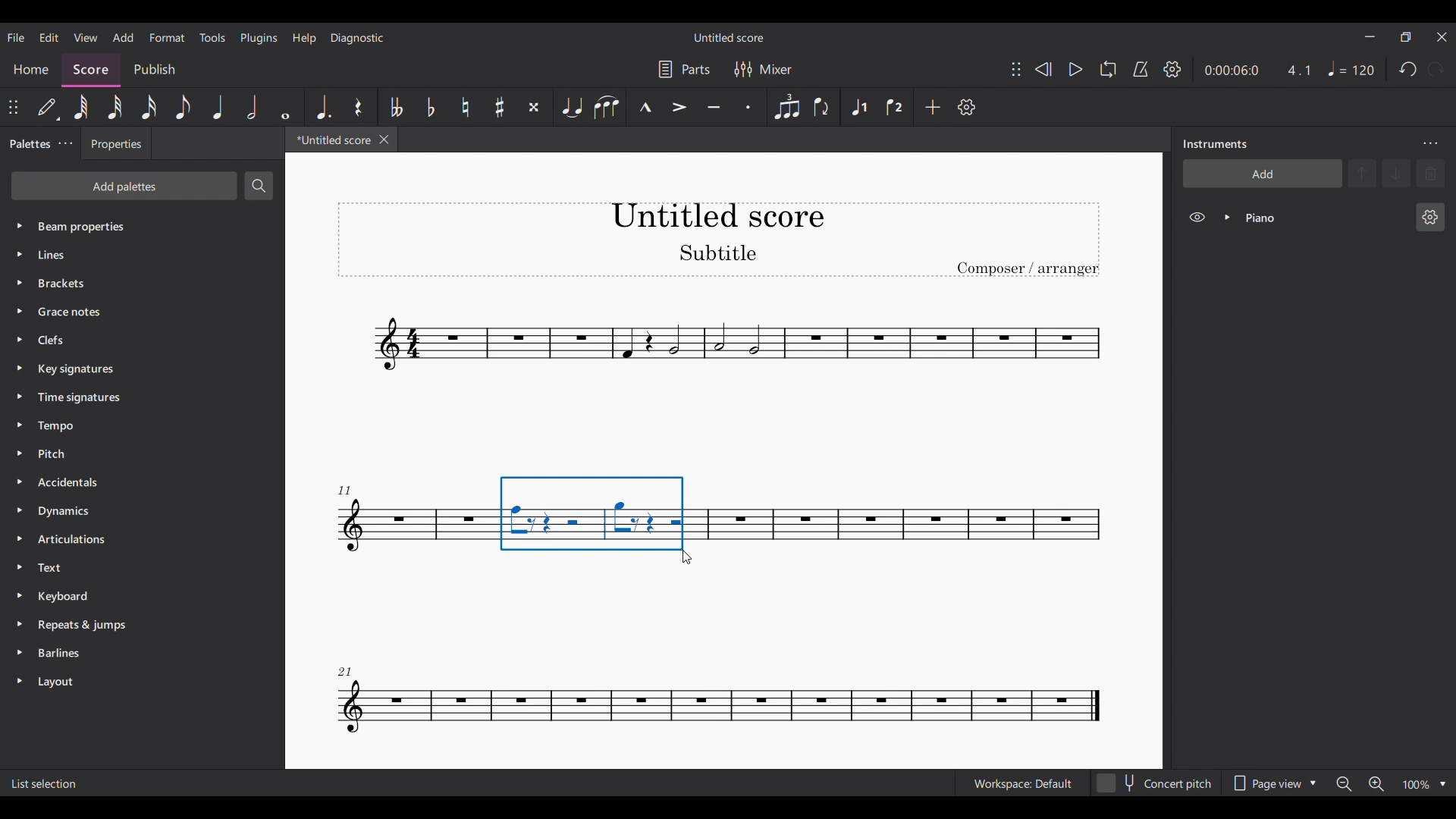 Image resolution: width=1456 pixels, height=819 pixels. Describe the element at coordinates (285, 106) in the screenshot. I see `Whole note ` at that location.